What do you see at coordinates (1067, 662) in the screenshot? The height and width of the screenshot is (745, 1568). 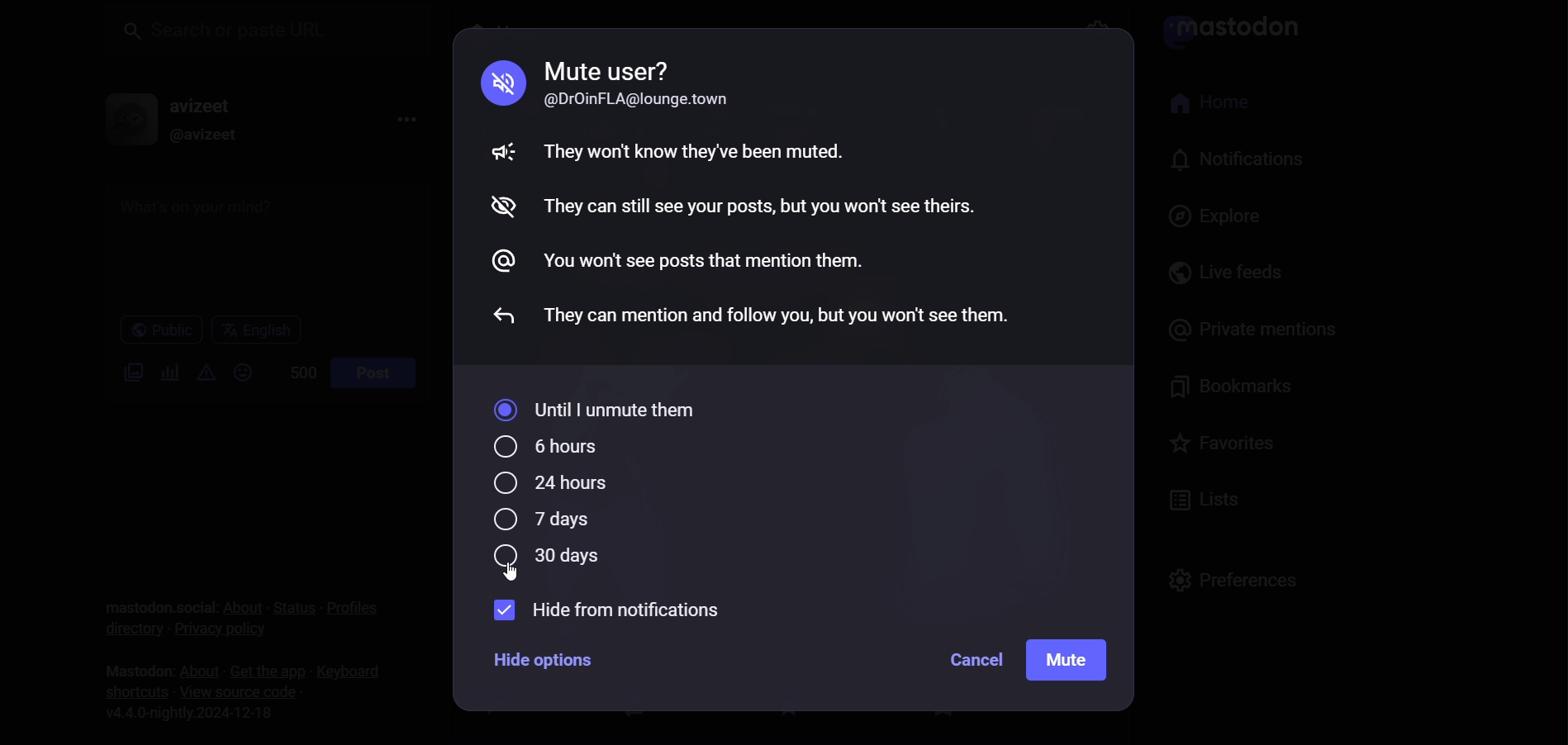 I see `mute` at bounding box center [1067, 662].